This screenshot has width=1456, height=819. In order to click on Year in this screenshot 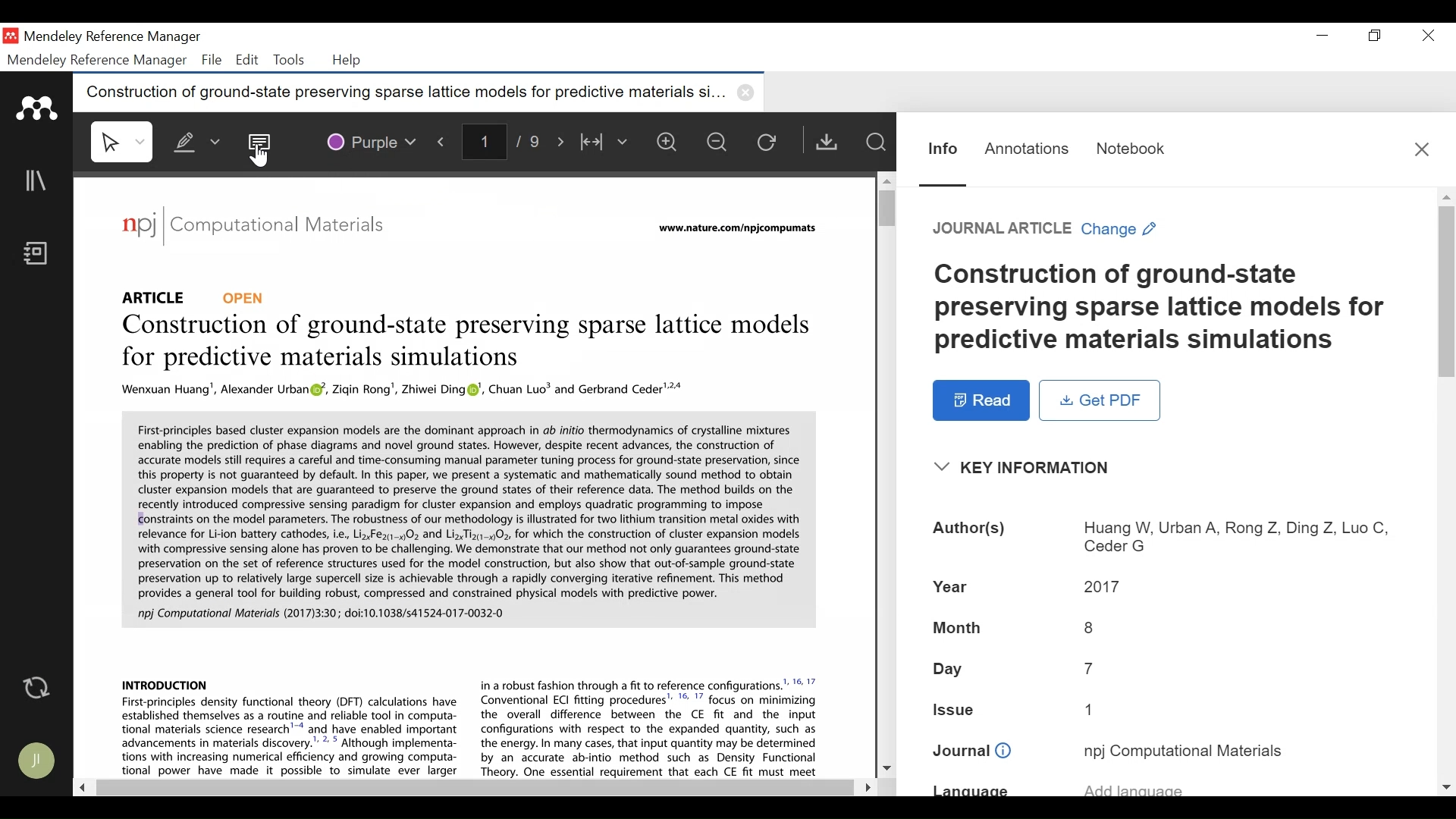, I will do `click(1166, 587)`.